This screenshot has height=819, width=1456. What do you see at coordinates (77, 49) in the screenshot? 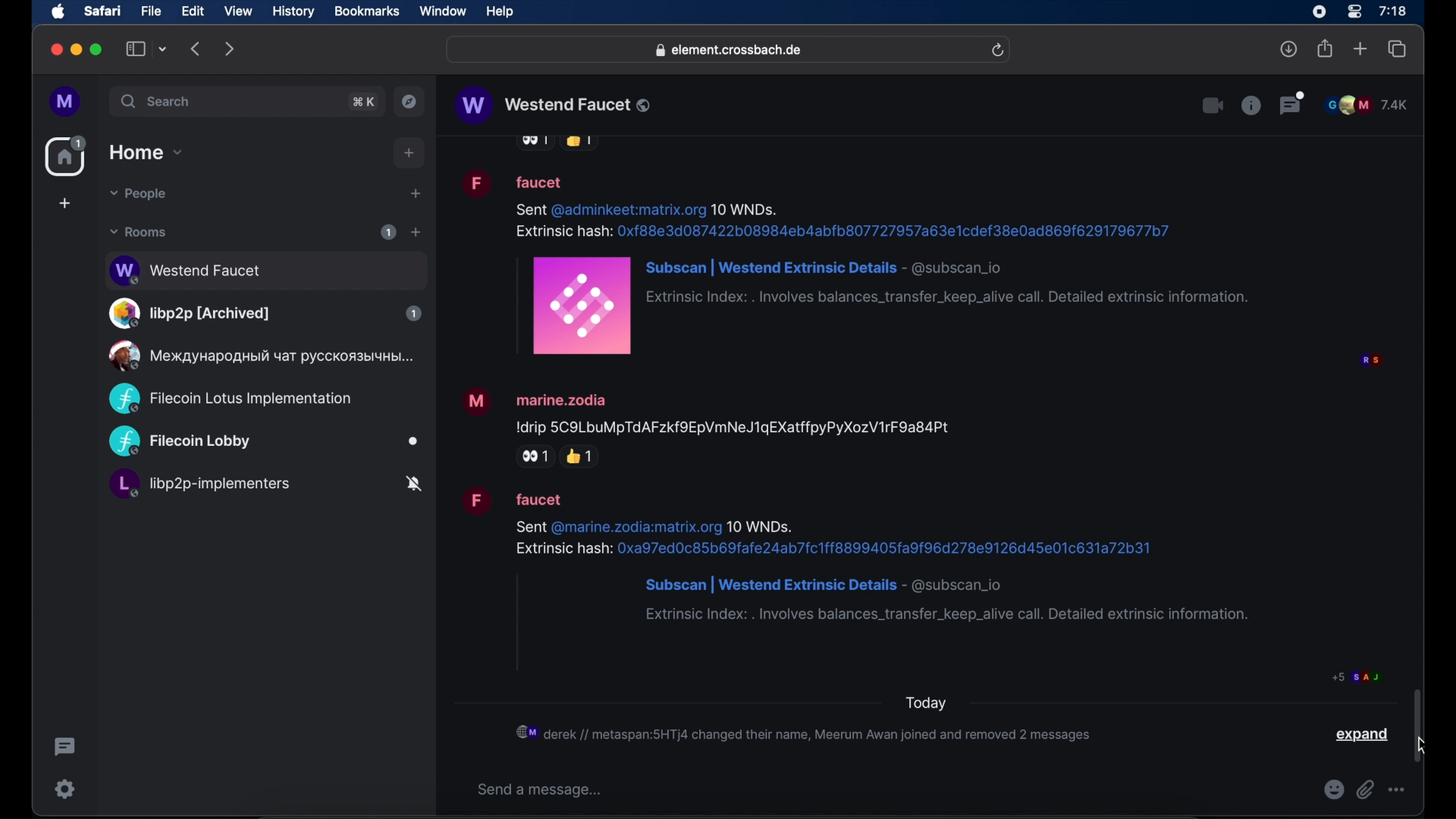
I see `minimize` at bounding box center [77, 49].